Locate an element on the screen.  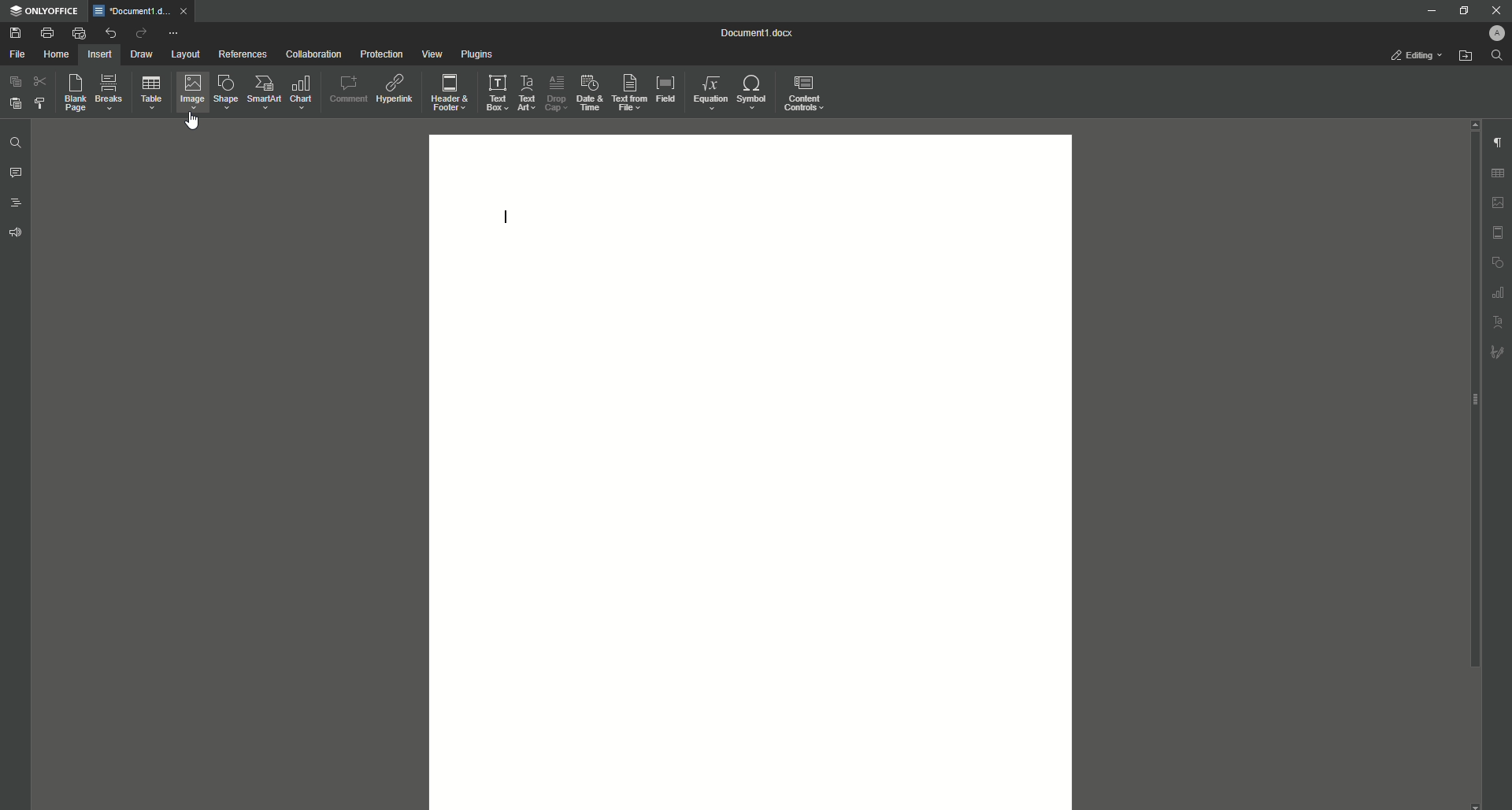
More Options is located at coordinates (174, 34).